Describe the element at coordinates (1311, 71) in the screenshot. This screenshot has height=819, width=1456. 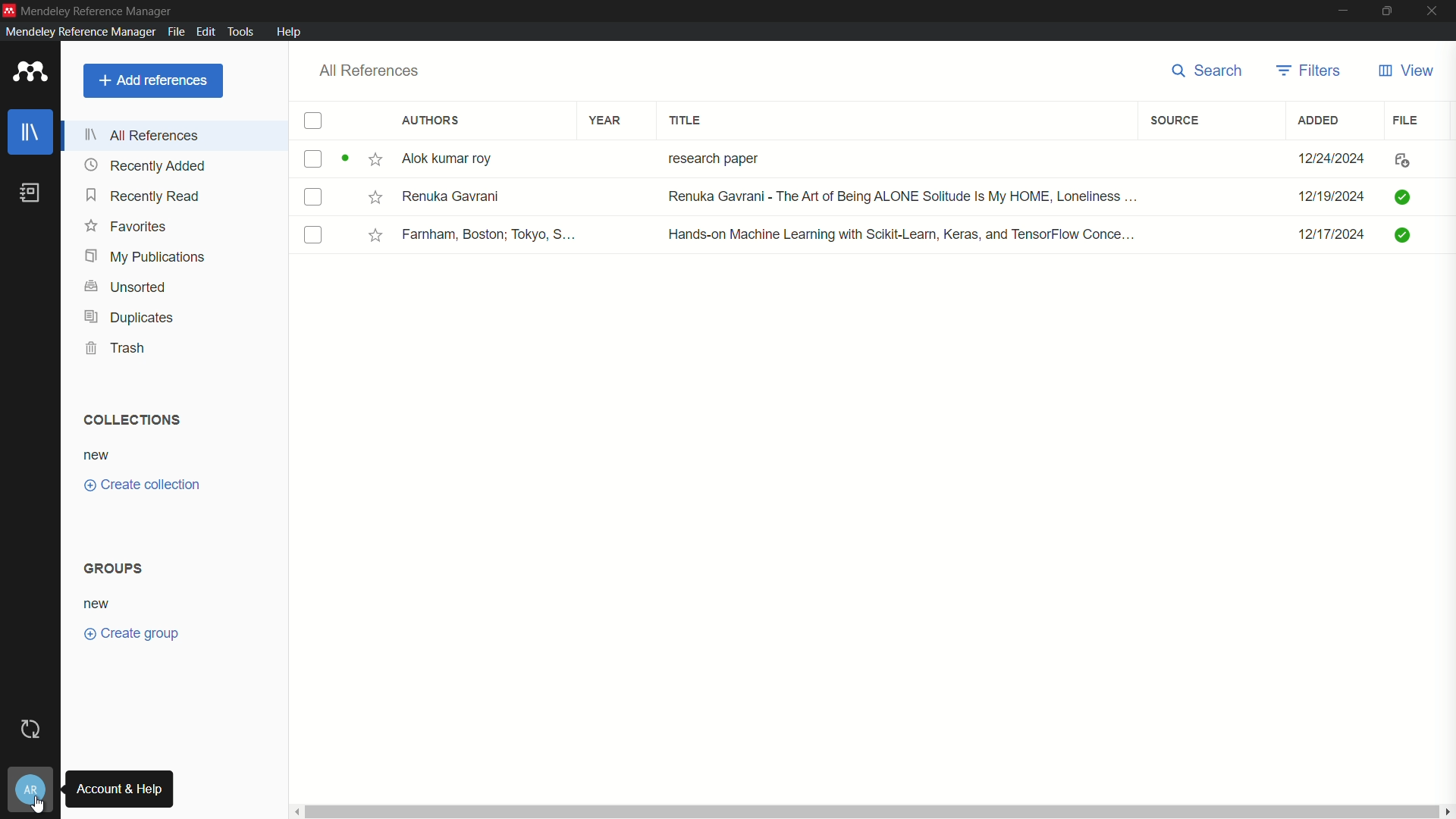
I see `filters` at that location.